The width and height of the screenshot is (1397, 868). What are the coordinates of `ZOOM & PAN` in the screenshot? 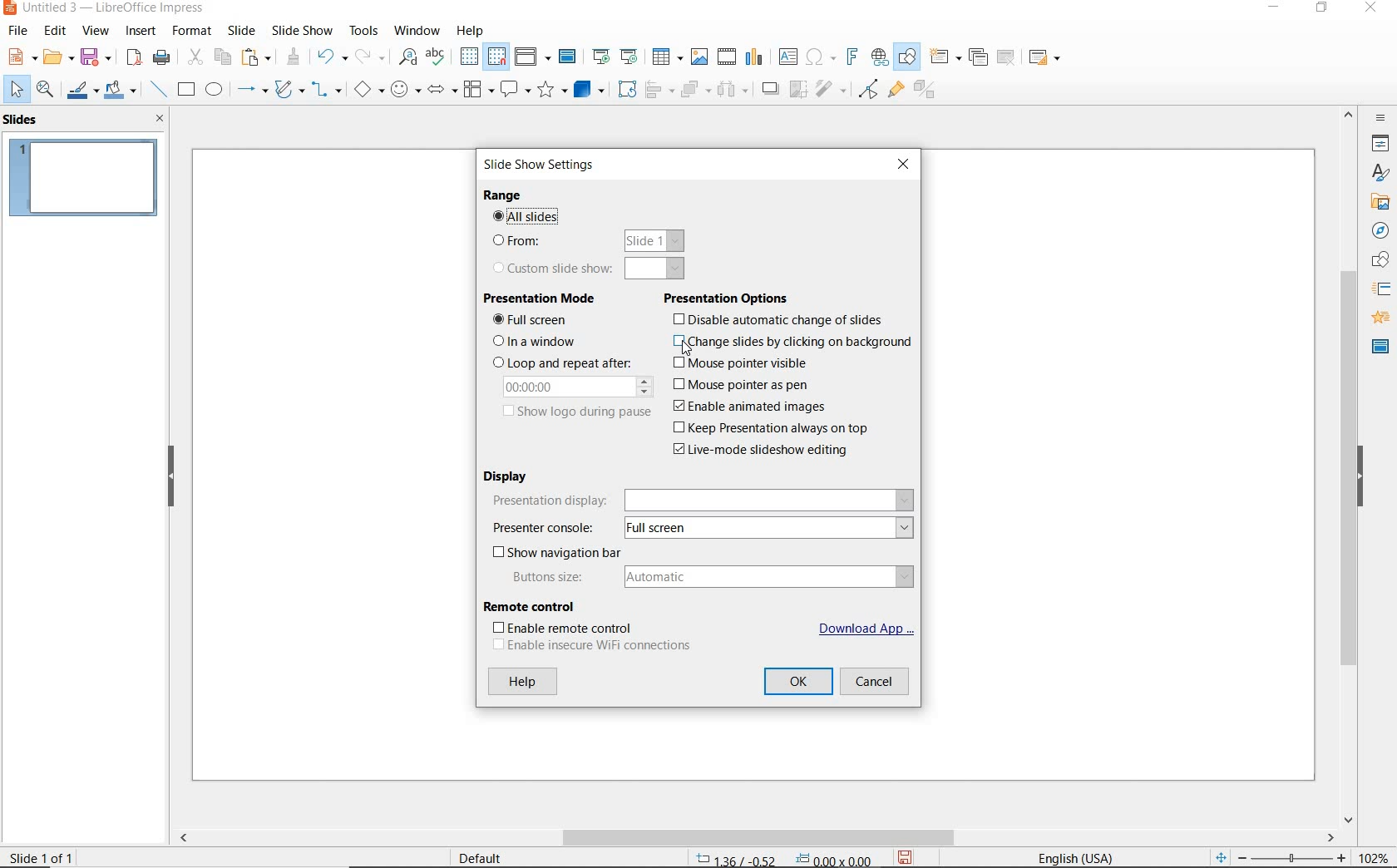 It's located at (46, 89).